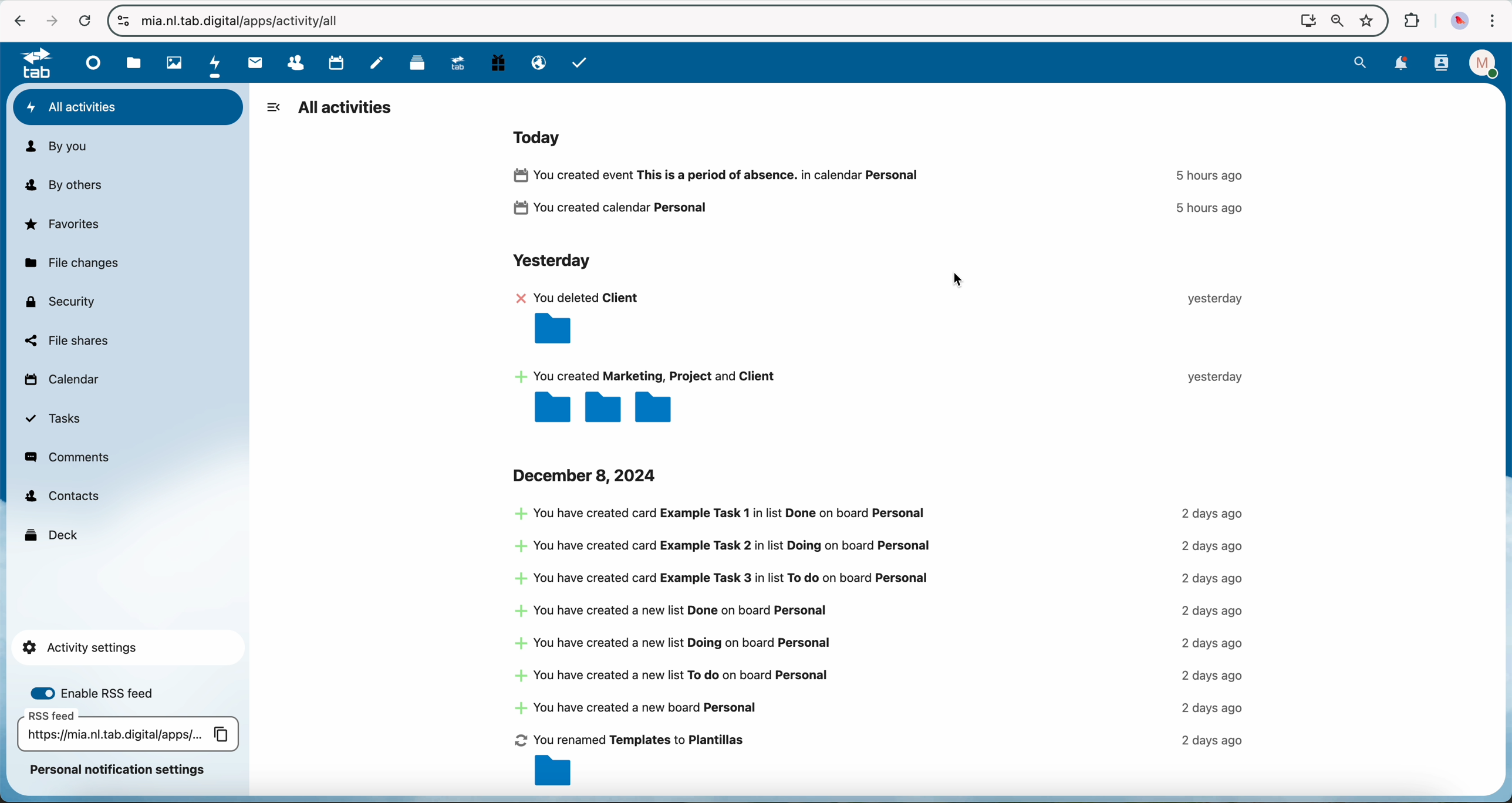 This screenshot has width=1512, height=803. What do you see at coordinates (128, 733) in the screenshot?
I see `link` at bounding box center [128, 733].